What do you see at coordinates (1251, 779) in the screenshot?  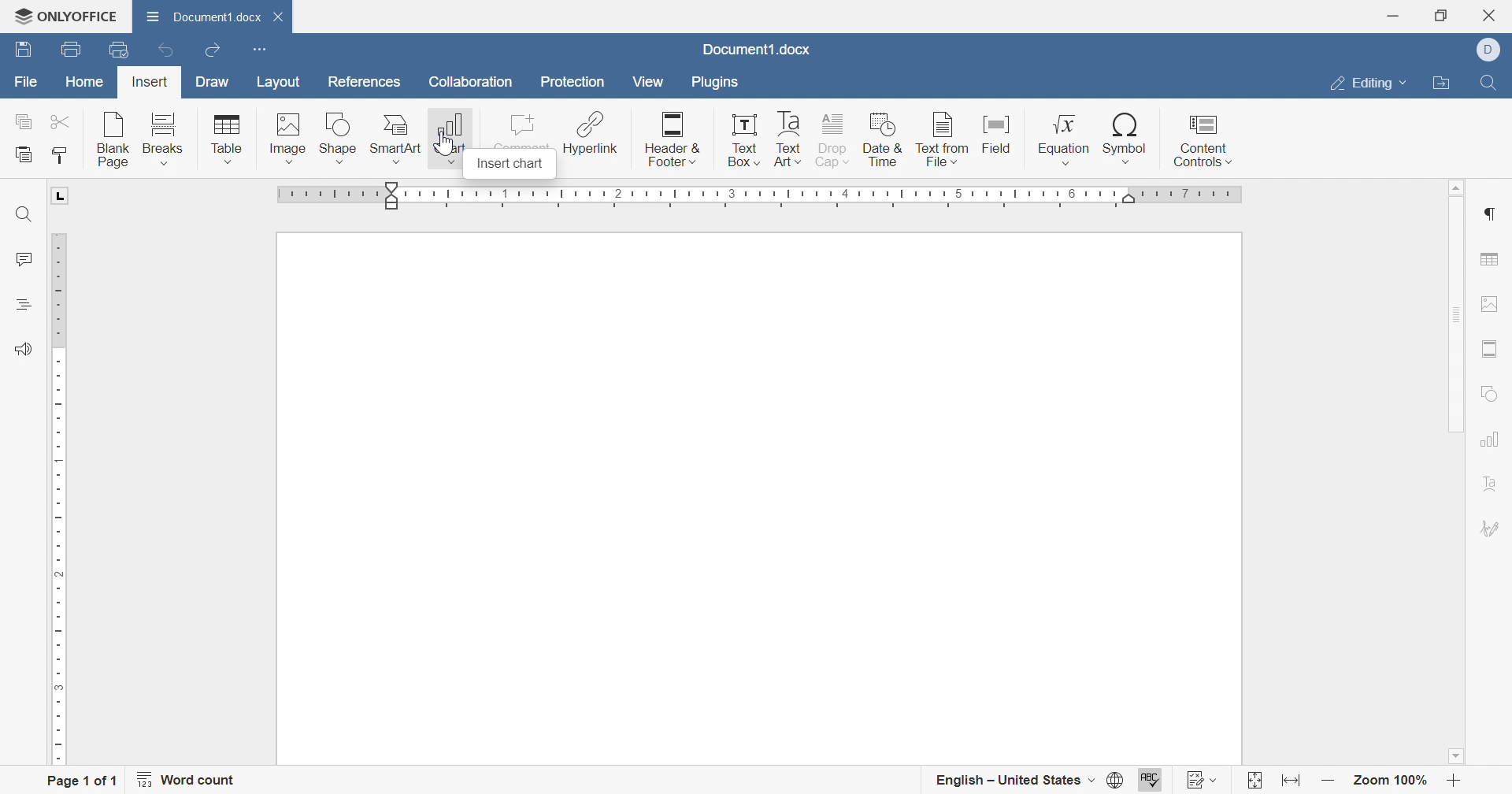 I see `Fit To Page` at bounding box center [1251, 779].